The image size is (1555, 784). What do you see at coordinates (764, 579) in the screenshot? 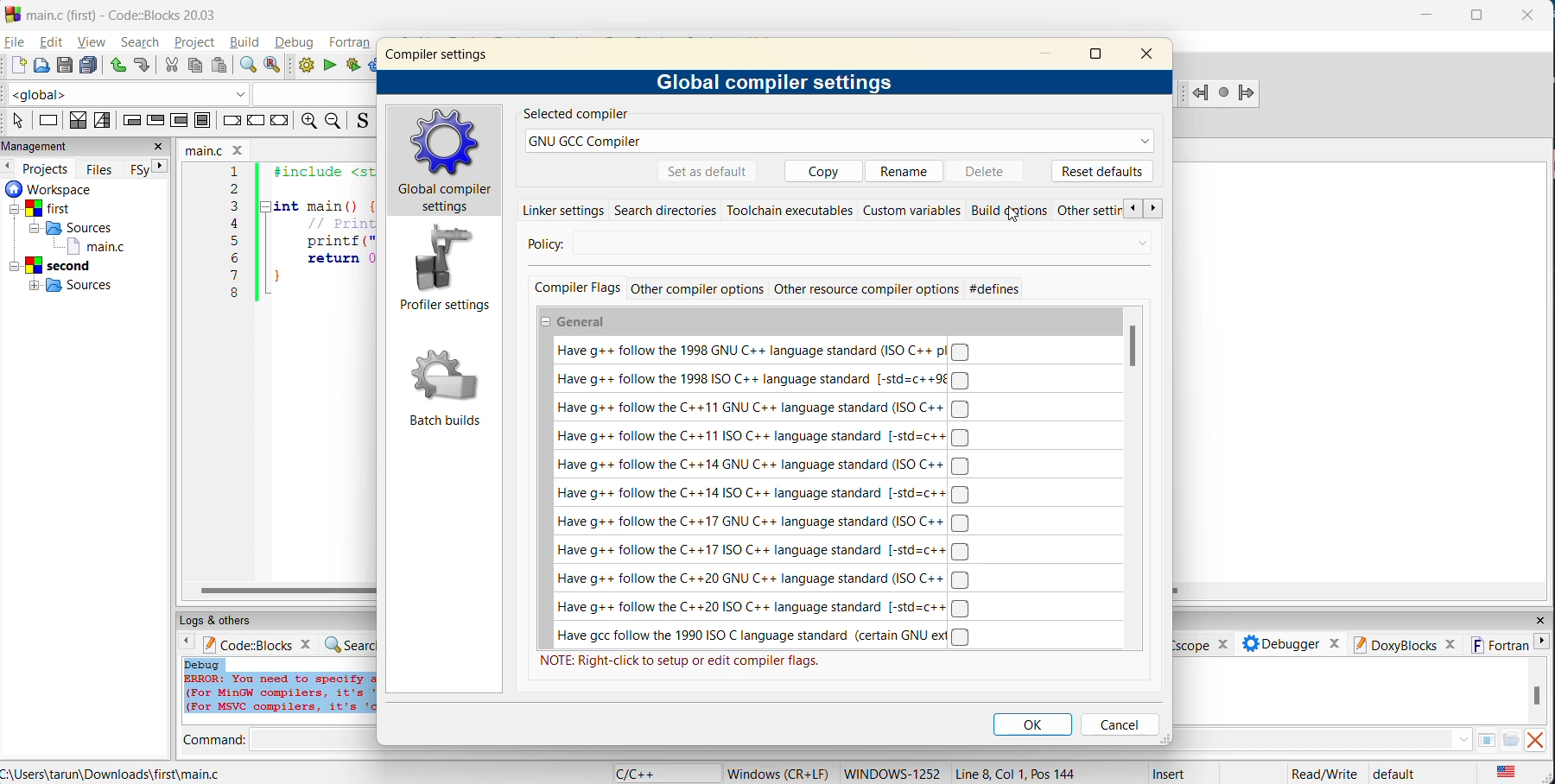
I see `Have g++ follow the C++20 GNU C++ language standard (ISO C++` at bounding box center [764, 579].